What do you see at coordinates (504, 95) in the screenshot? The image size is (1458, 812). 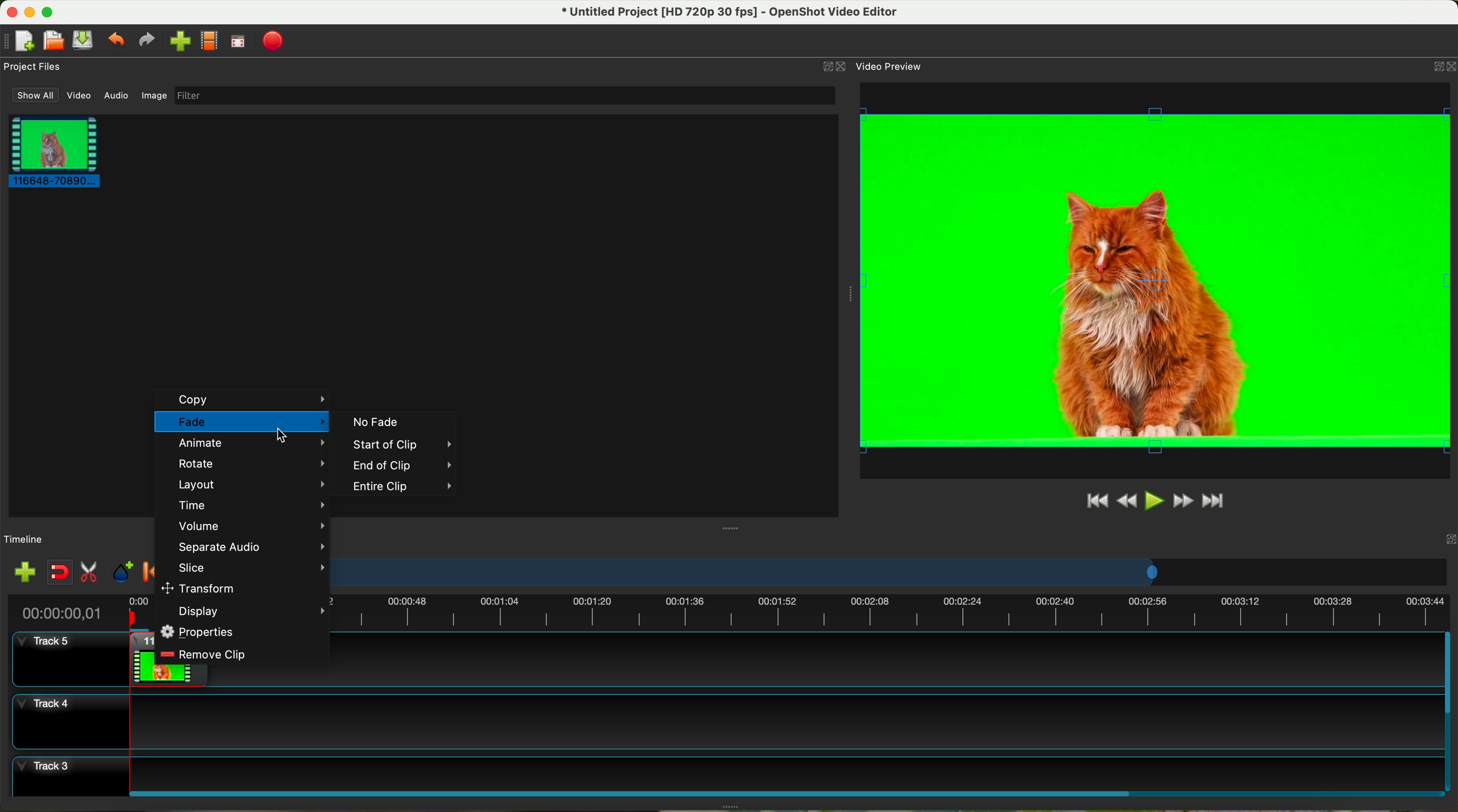 I see `filter` at bounding box center [504, 95].